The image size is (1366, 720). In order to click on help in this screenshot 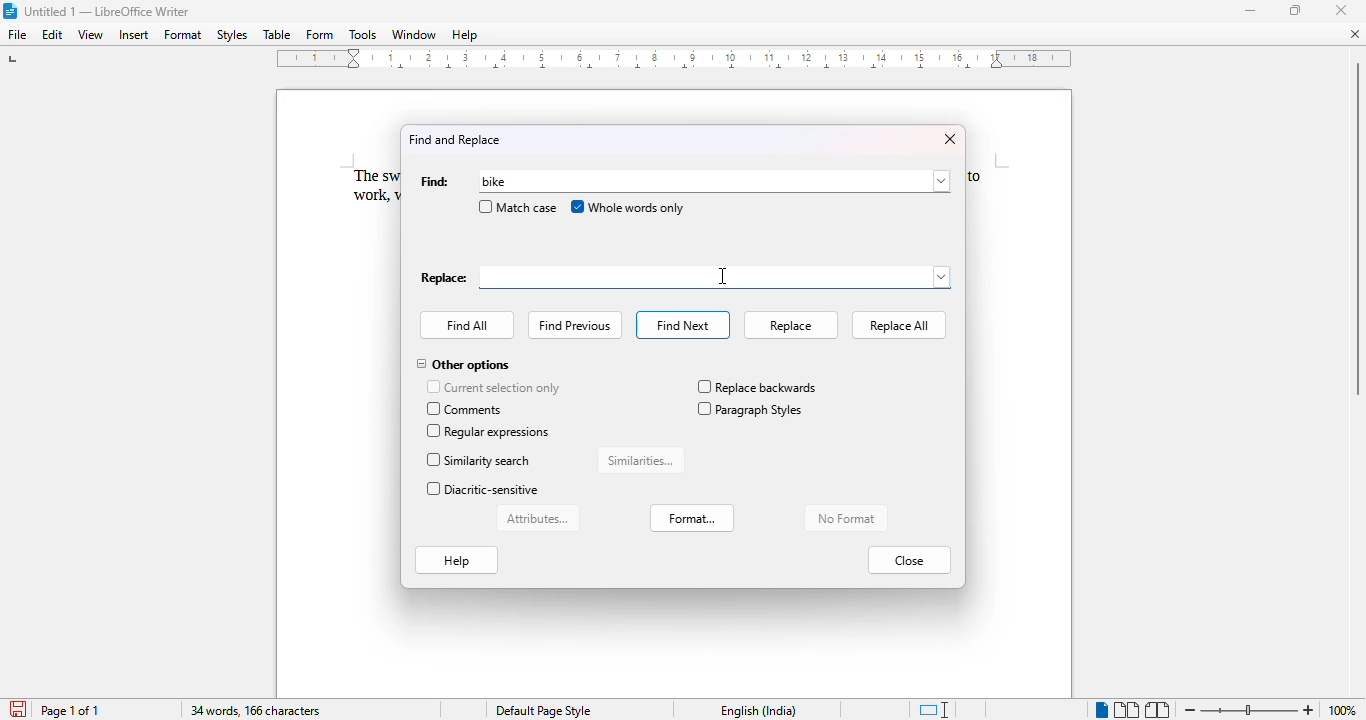, I will do `click(464, 35)`.